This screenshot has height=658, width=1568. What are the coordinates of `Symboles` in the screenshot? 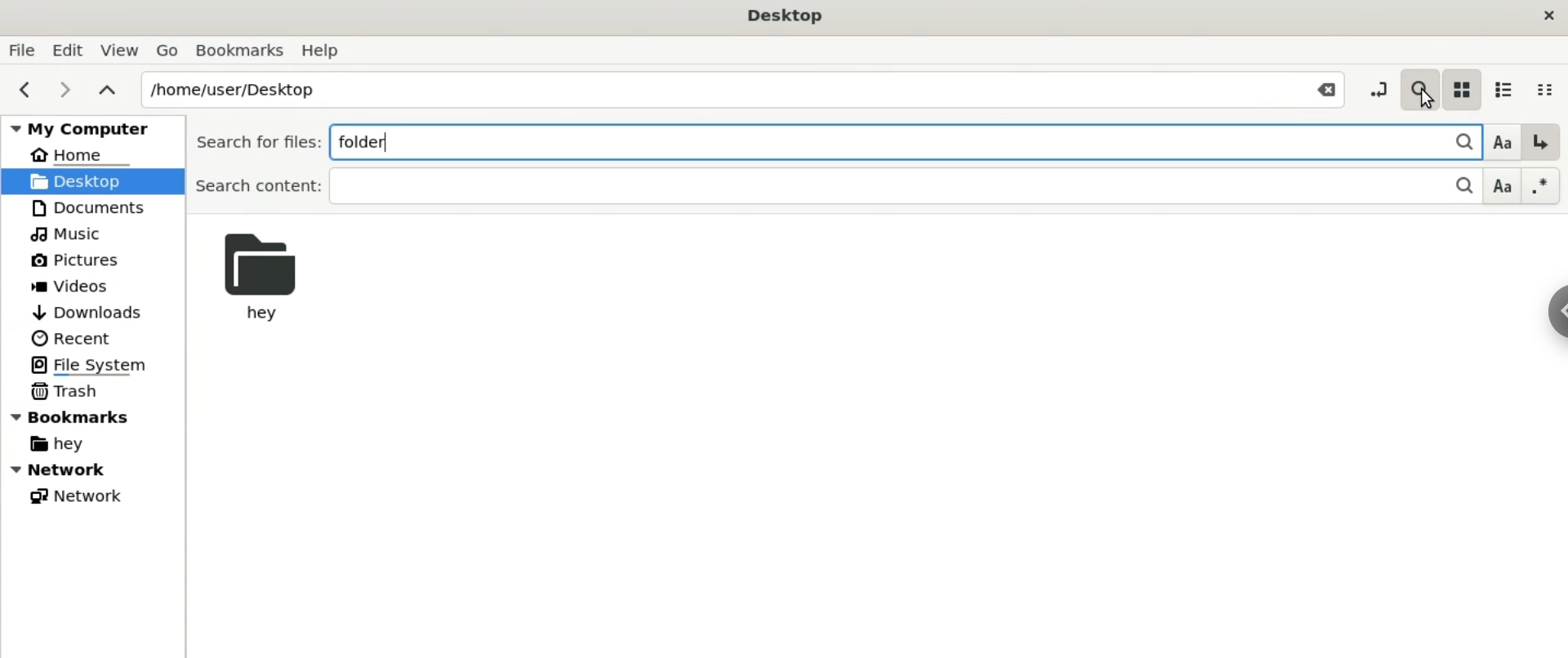 It's located at (1542, 185).